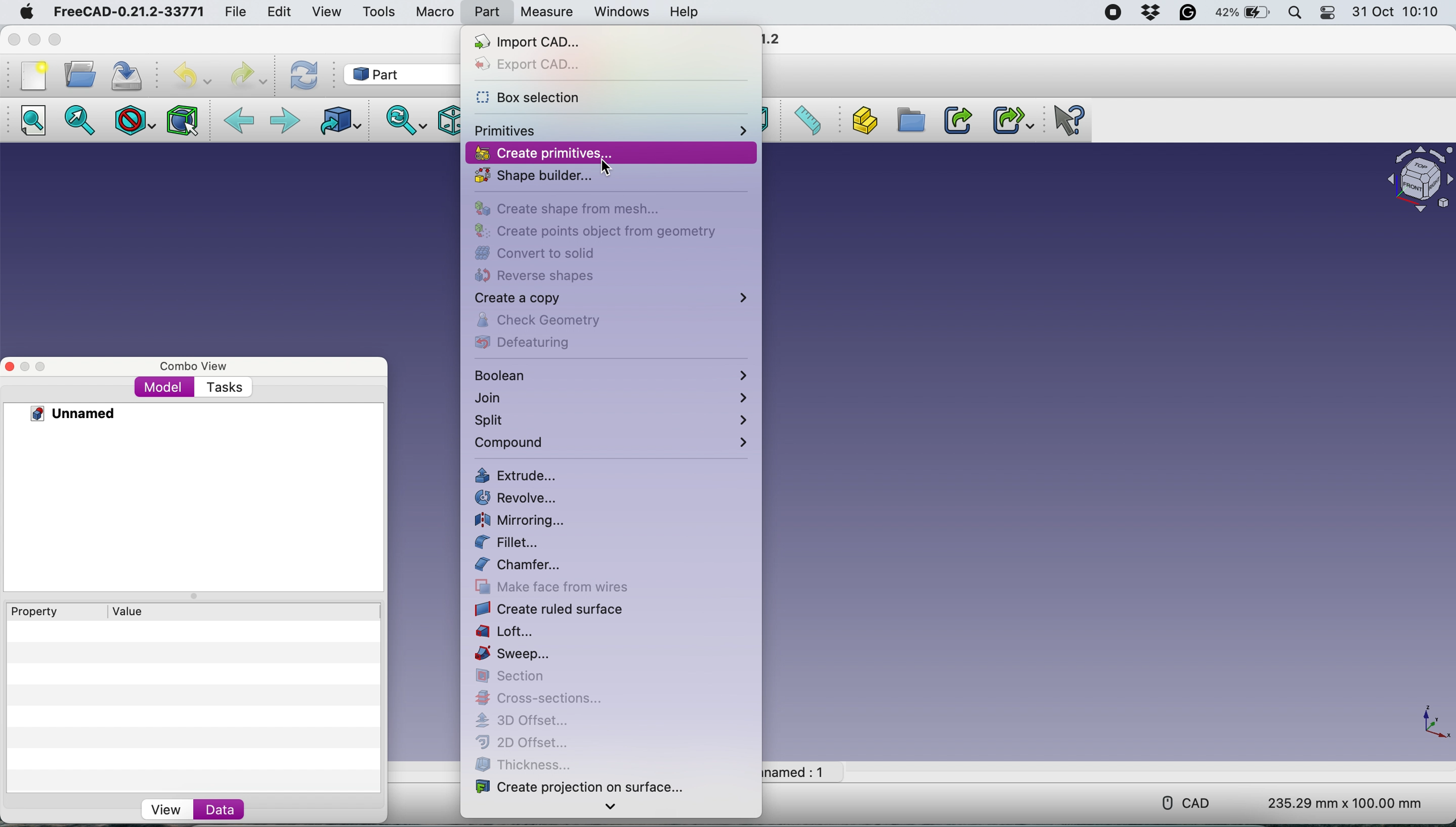 This screenshot has height=827, width=1456. I want to click on mirroring, so click(520, 520).